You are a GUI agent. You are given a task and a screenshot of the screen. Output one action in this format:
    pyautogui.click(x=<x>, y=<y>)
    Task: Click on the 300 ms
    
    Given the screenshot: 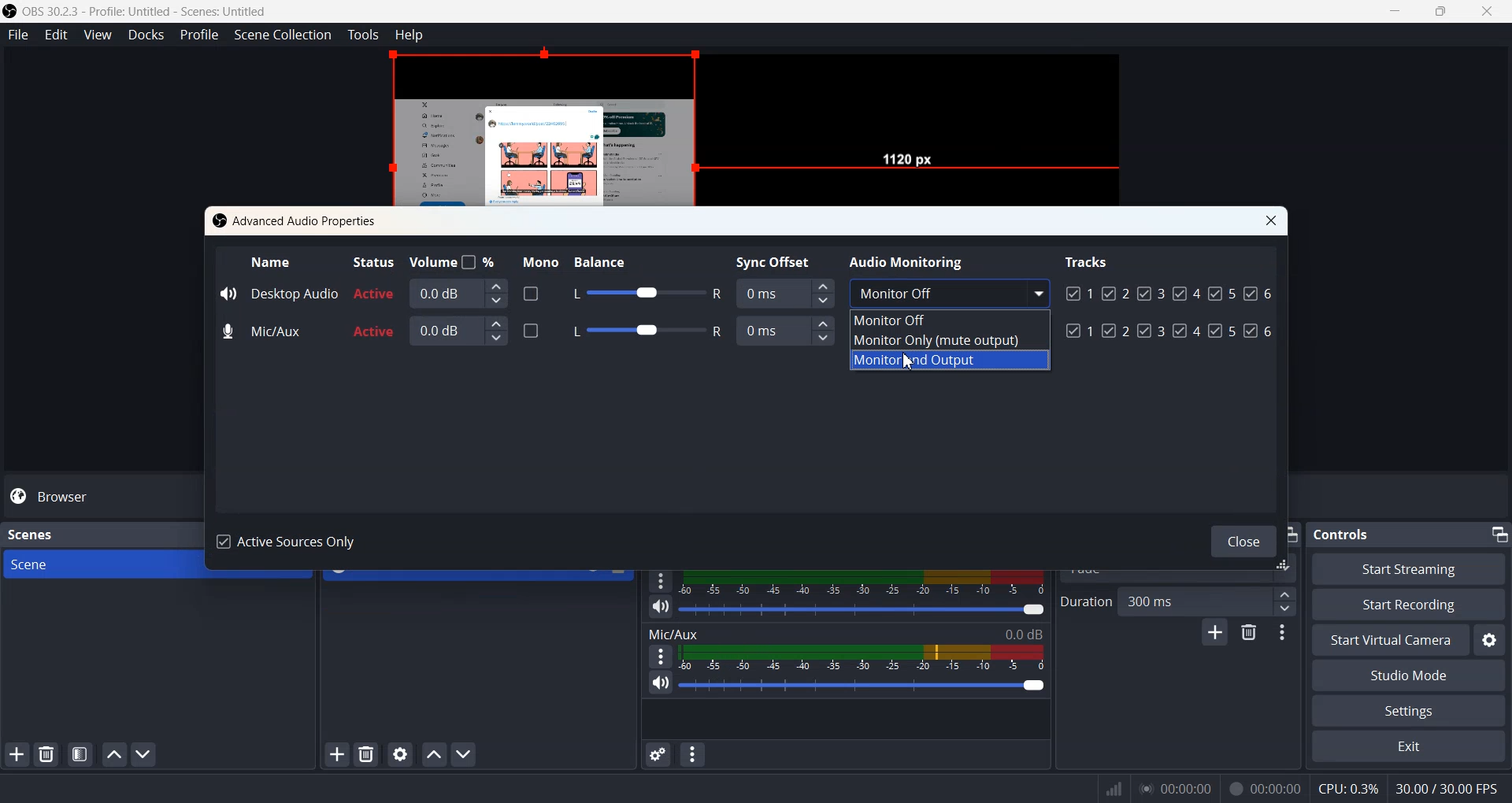 What is the action you would take?
    pyautogui.click(x=1209, y=601)
    